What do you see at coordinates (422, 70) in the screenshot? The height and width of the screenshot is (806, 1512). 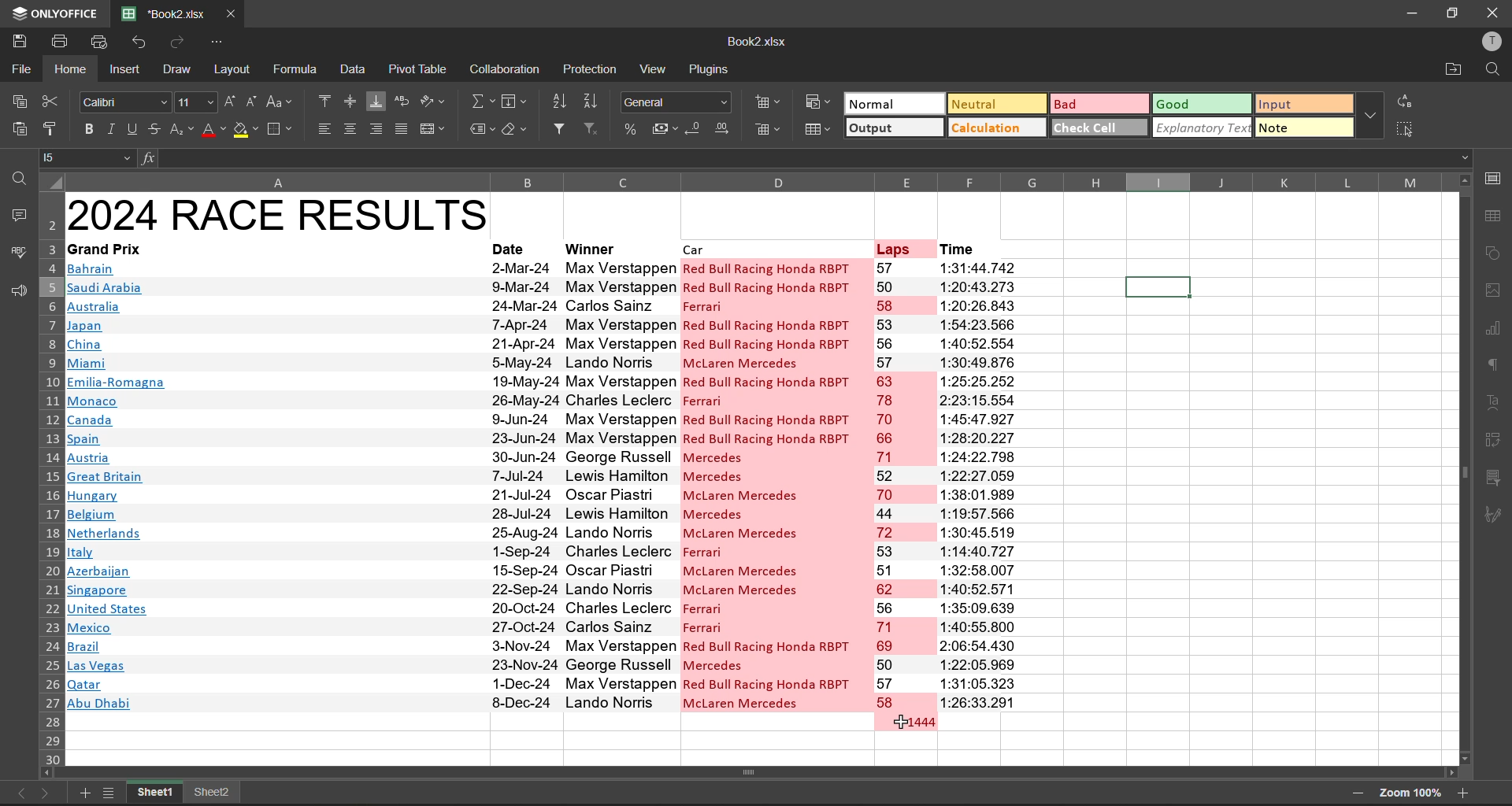 I see `pivot table` at bounding box center [422, 70].